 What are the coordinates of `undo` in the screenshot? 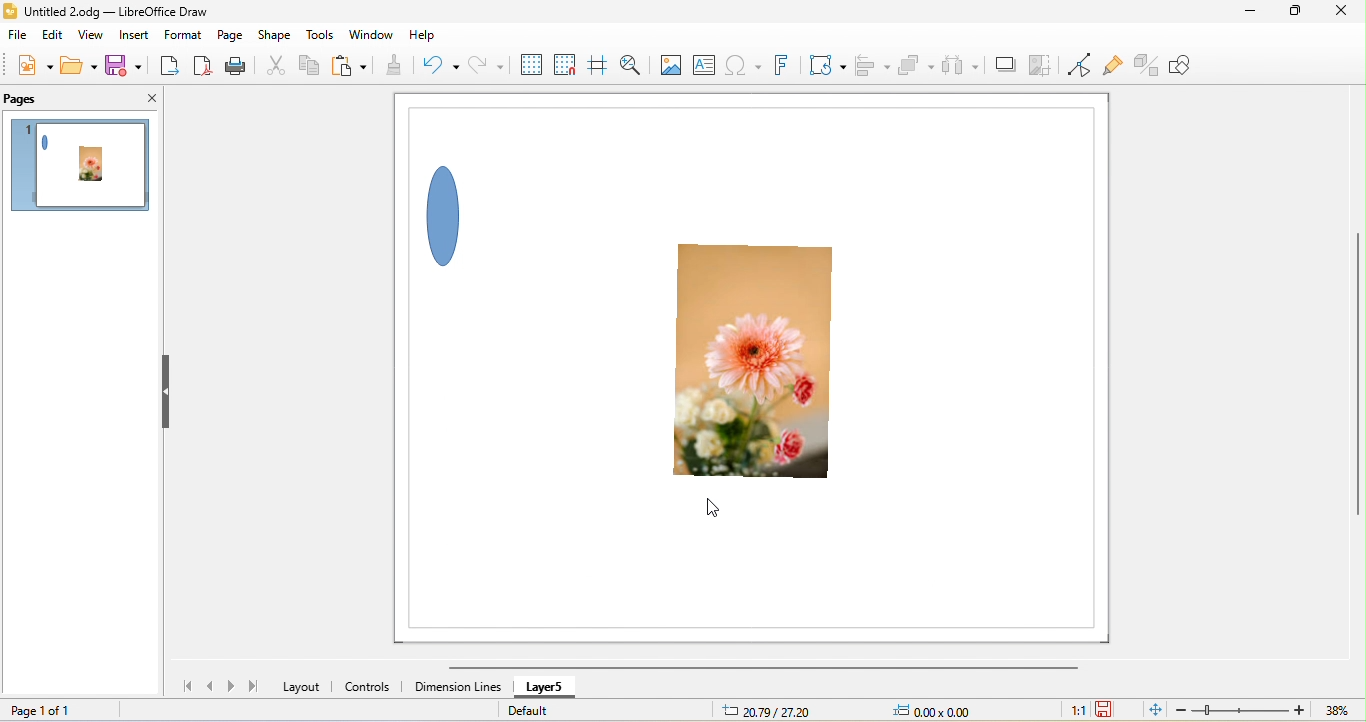 It's located at (435, 65).